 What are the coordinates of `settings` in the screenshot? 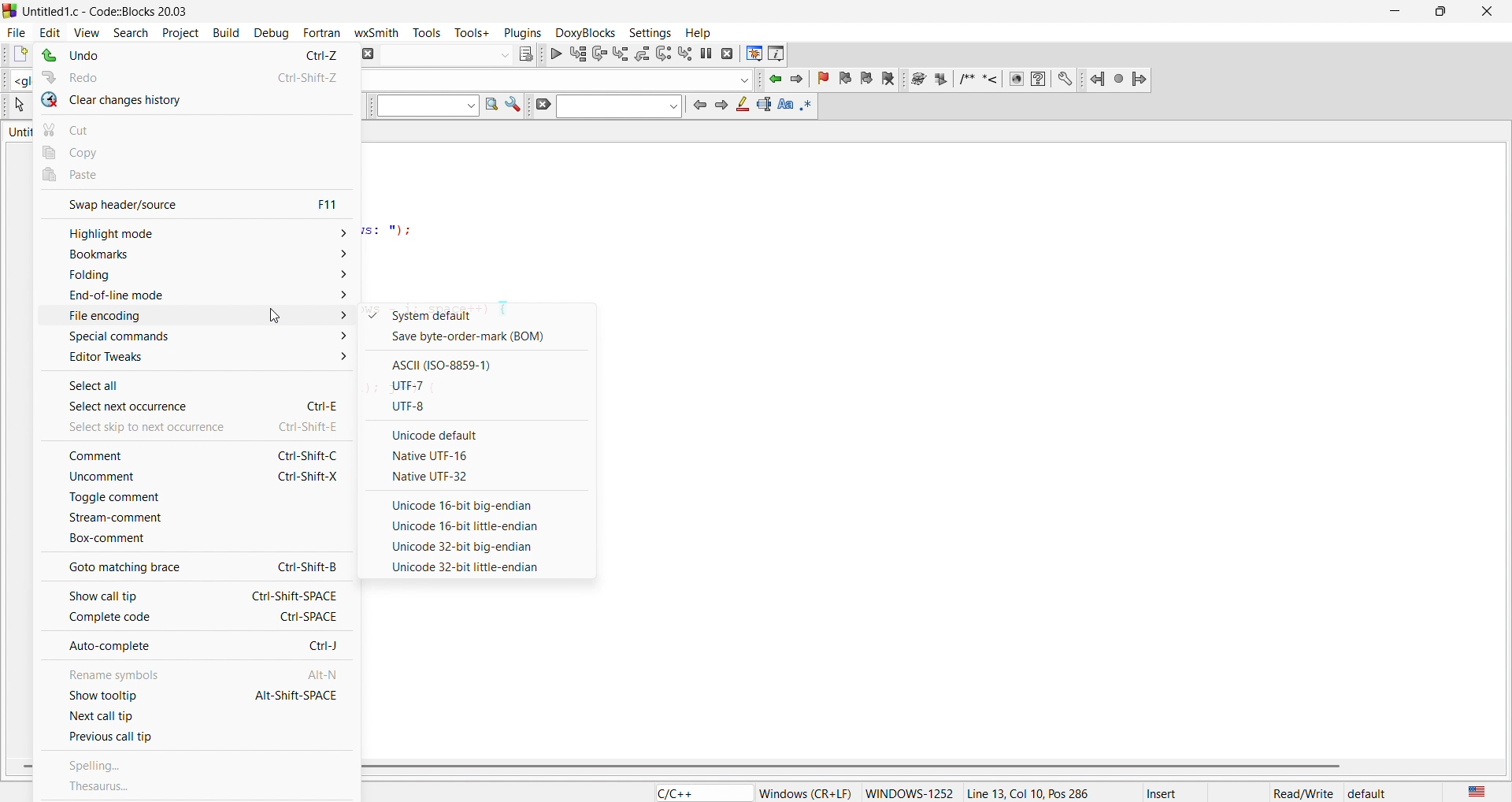 It's located at (647, 32).